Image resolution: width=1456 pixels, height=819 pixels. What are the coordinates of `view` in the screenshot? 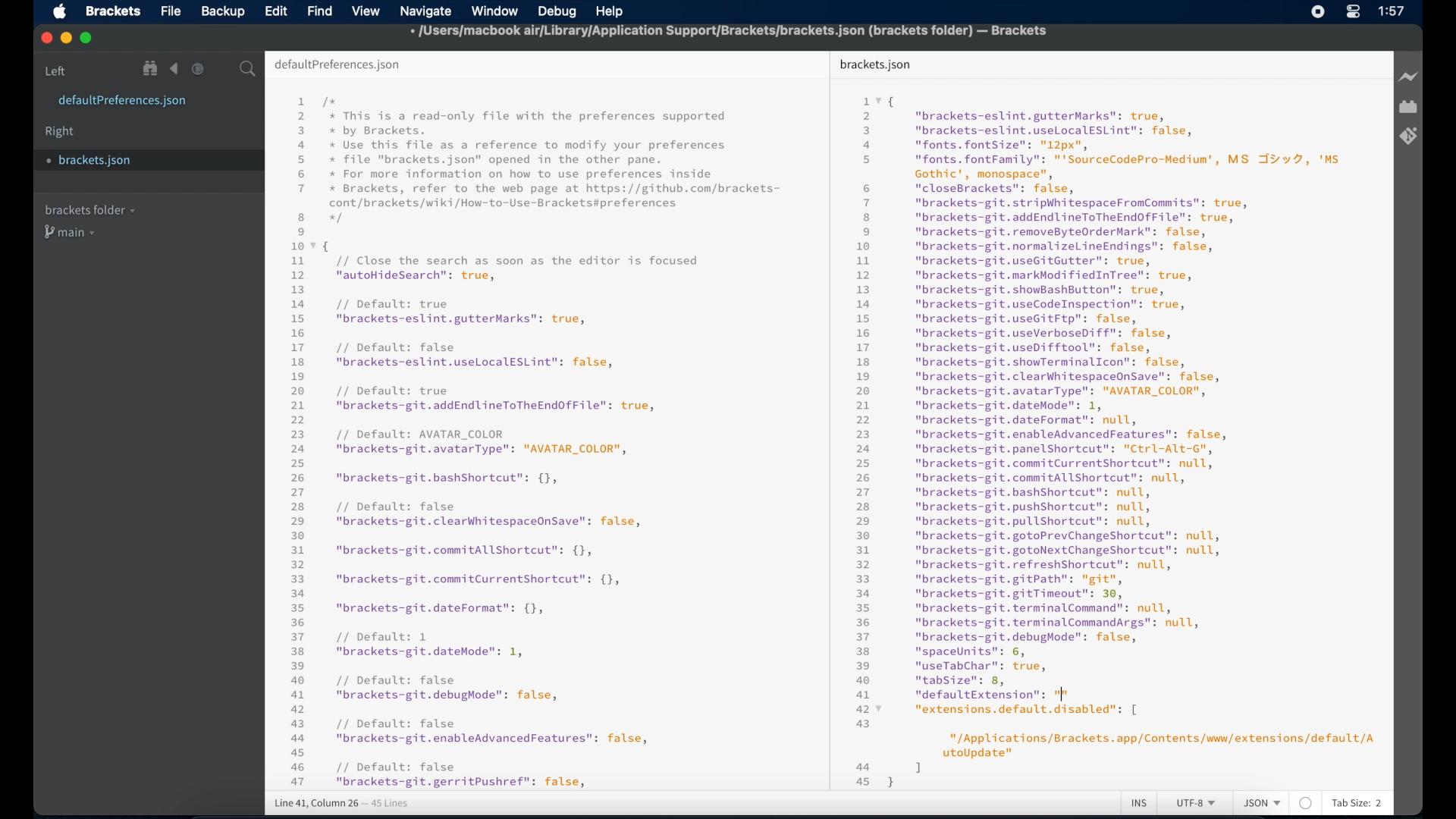 It's located at (366, 11).